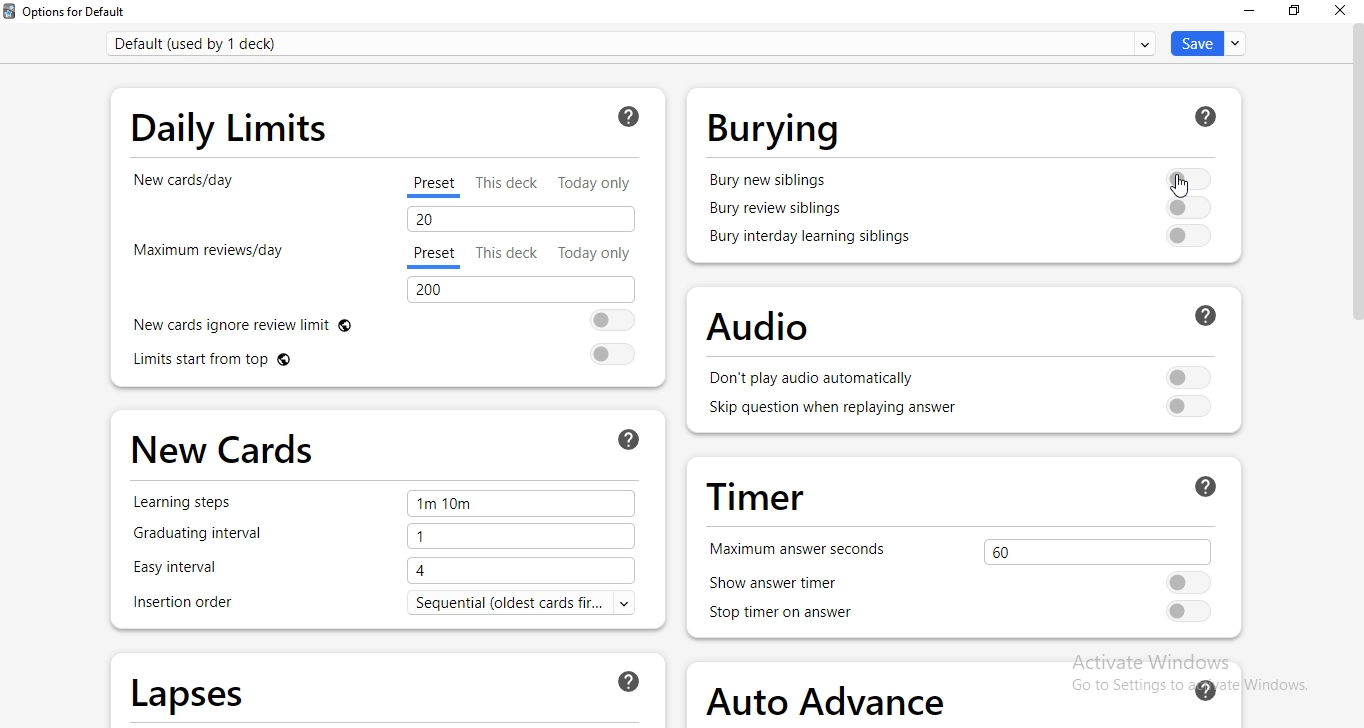  Describe the element at coordinates (260, 323) in the screenshot. I see `new cards ignore review limit` at that location.